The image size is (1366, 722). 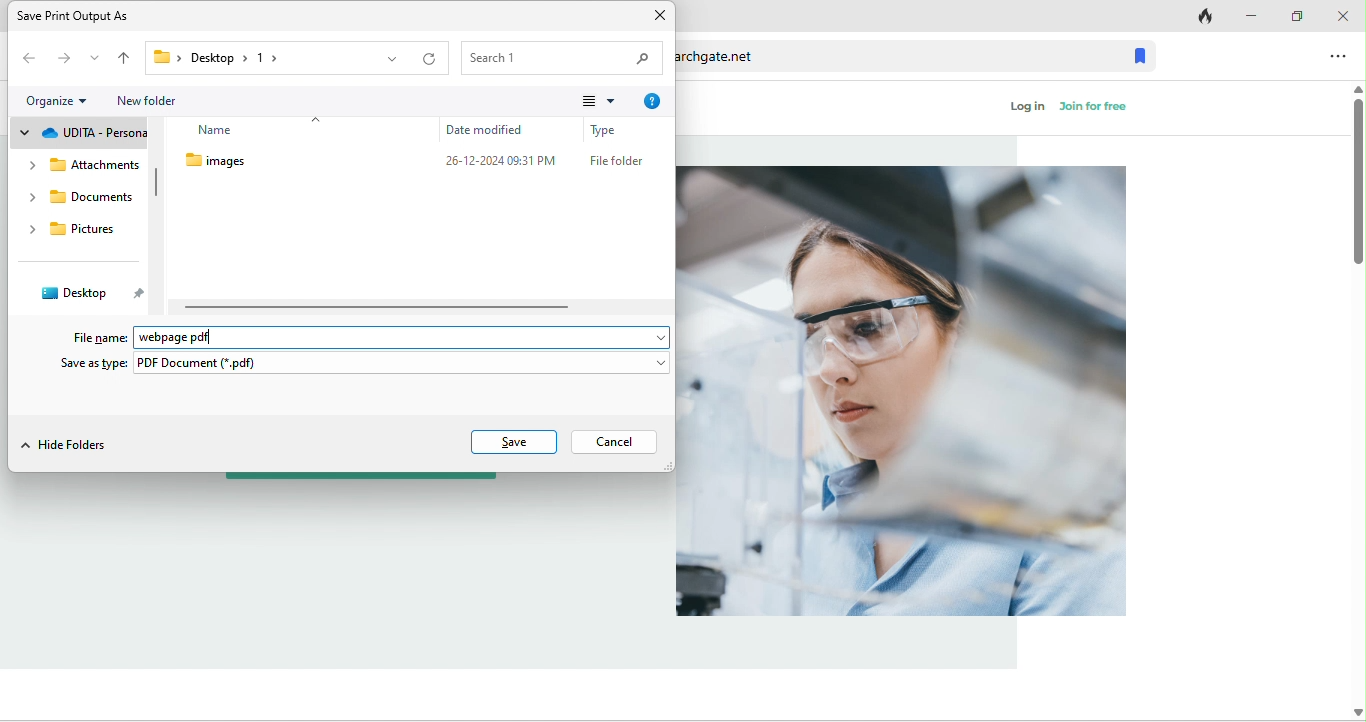 What do you see at coordinates (82, 130) in the screenshot?
I see `udita personal` at bounding box center [82, 130].